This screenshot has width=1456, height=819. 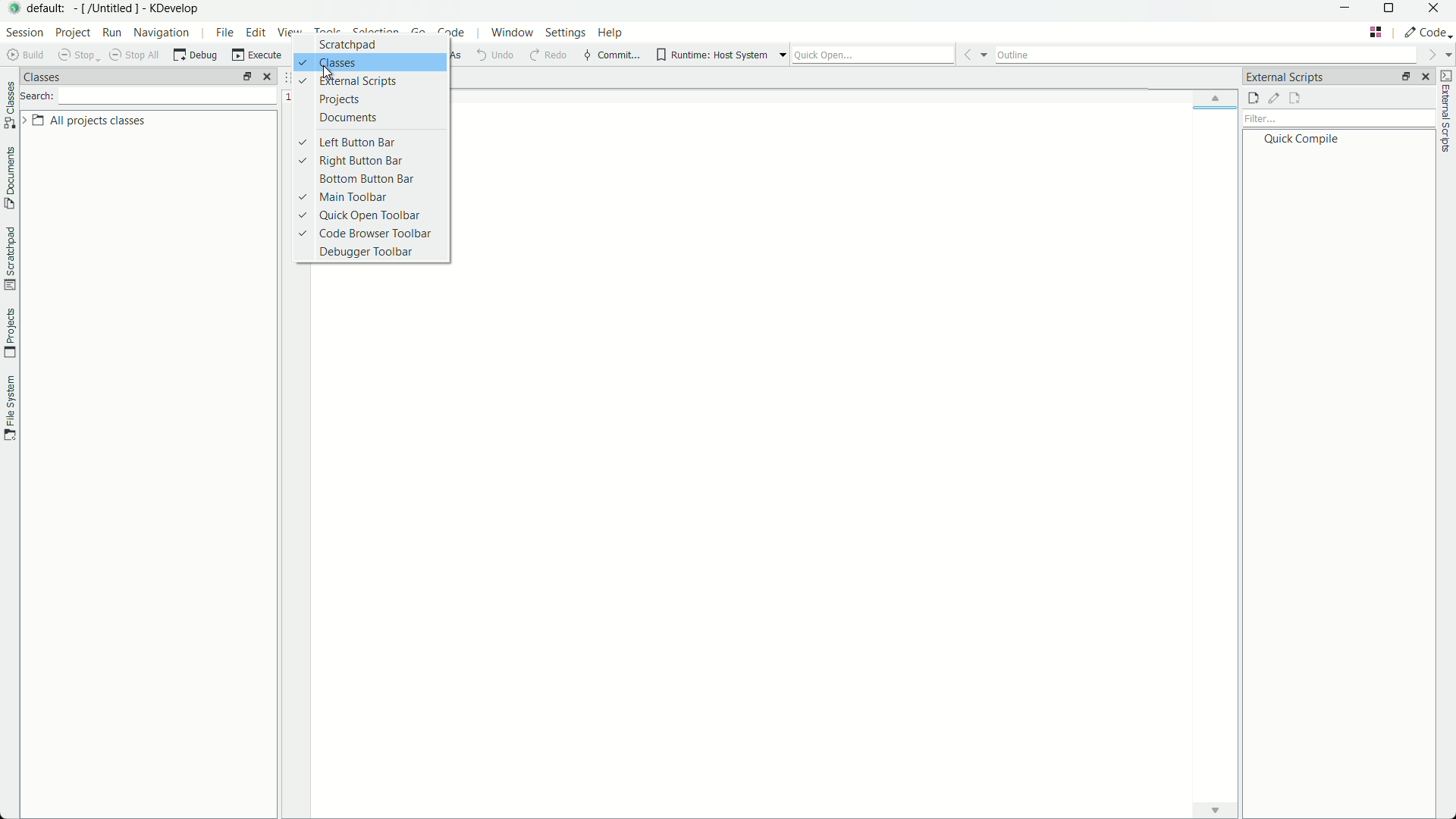 I want to click on kdevelop, so click(x=175, y=8).